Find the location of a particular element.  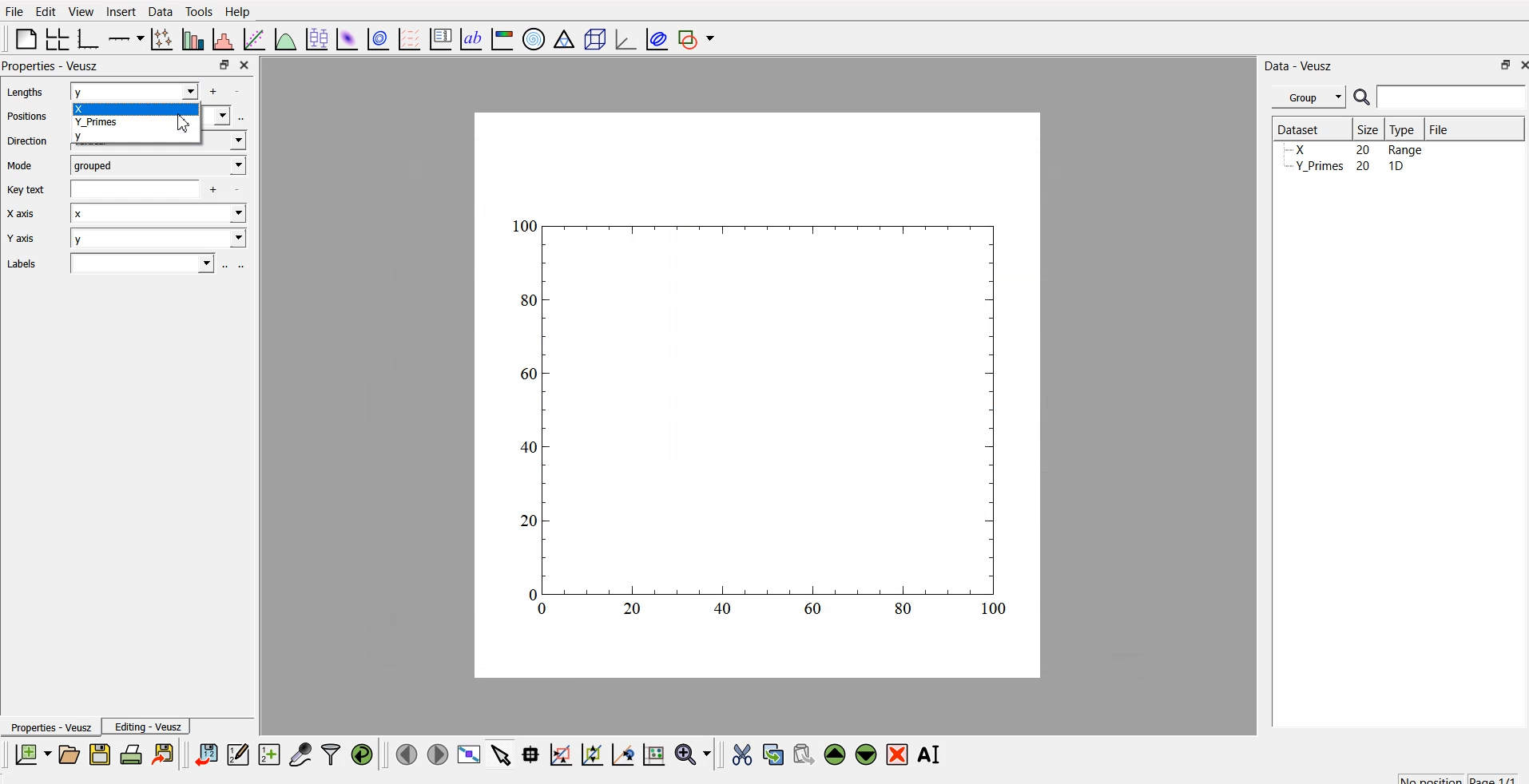

view plot full screen is located at coordinates (470, 754).